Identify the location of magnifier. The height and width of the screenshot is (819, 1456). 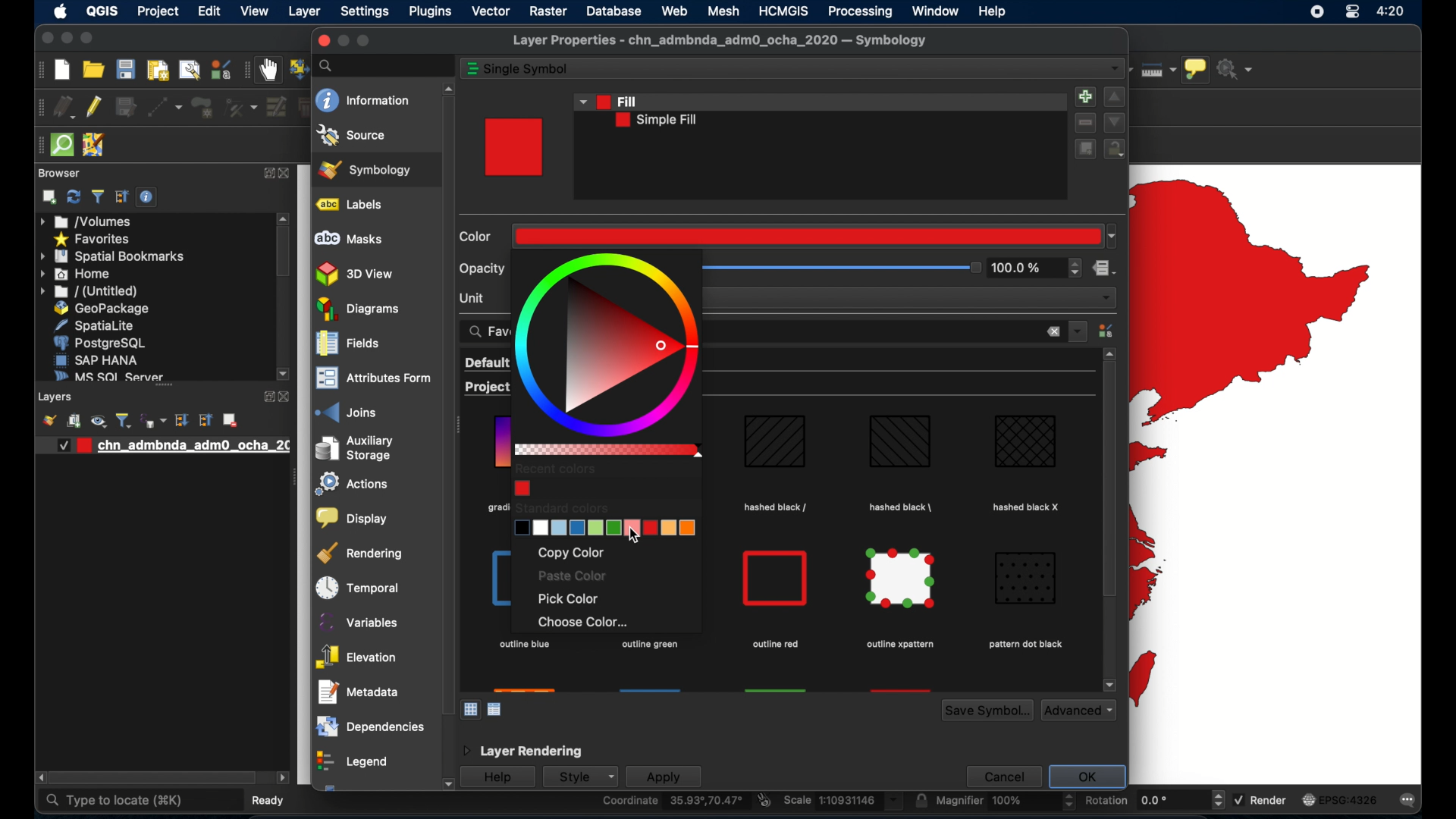
(996, 802).